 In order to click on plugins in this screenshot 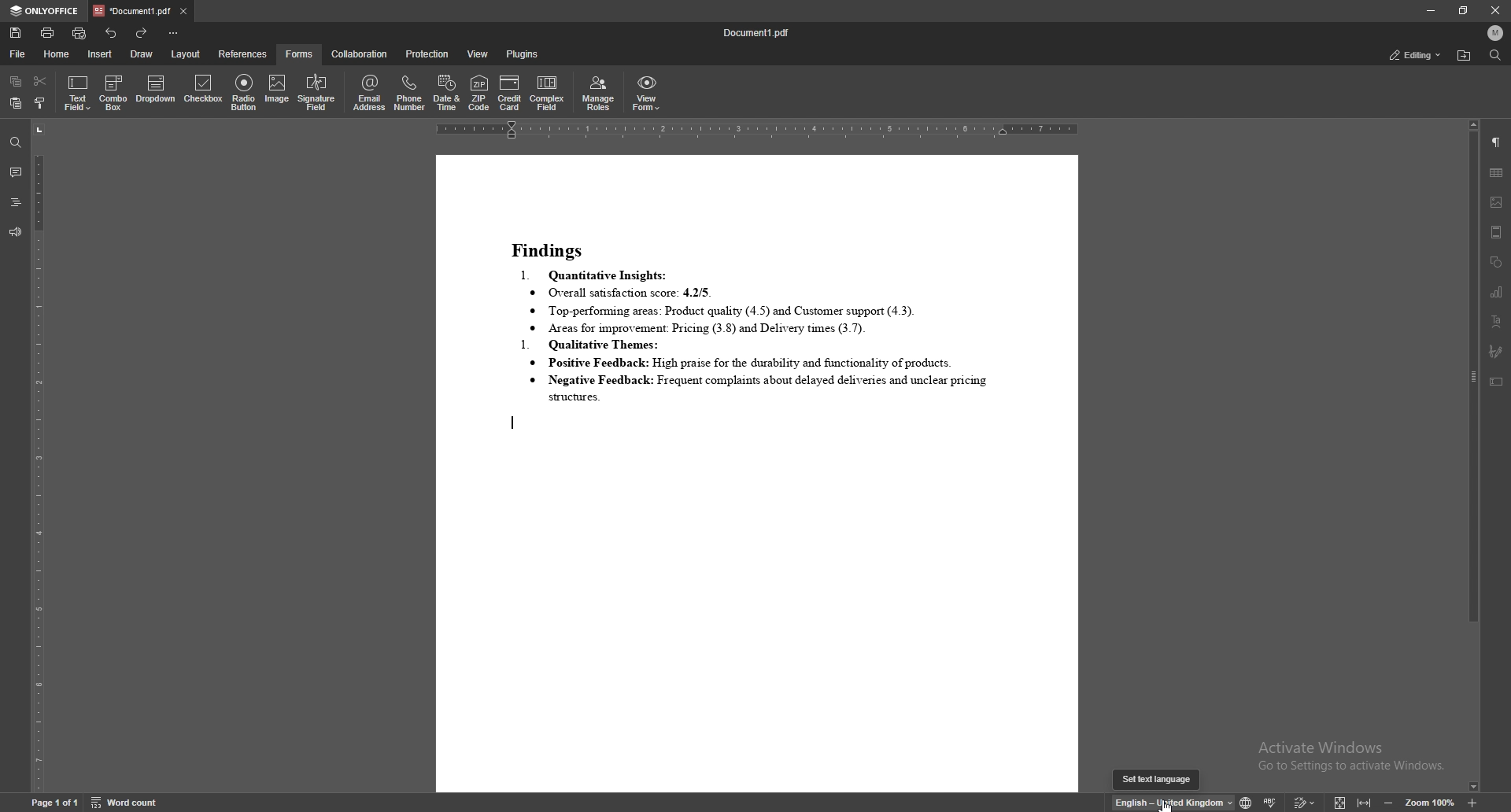, I will do `click(523, 54)`.